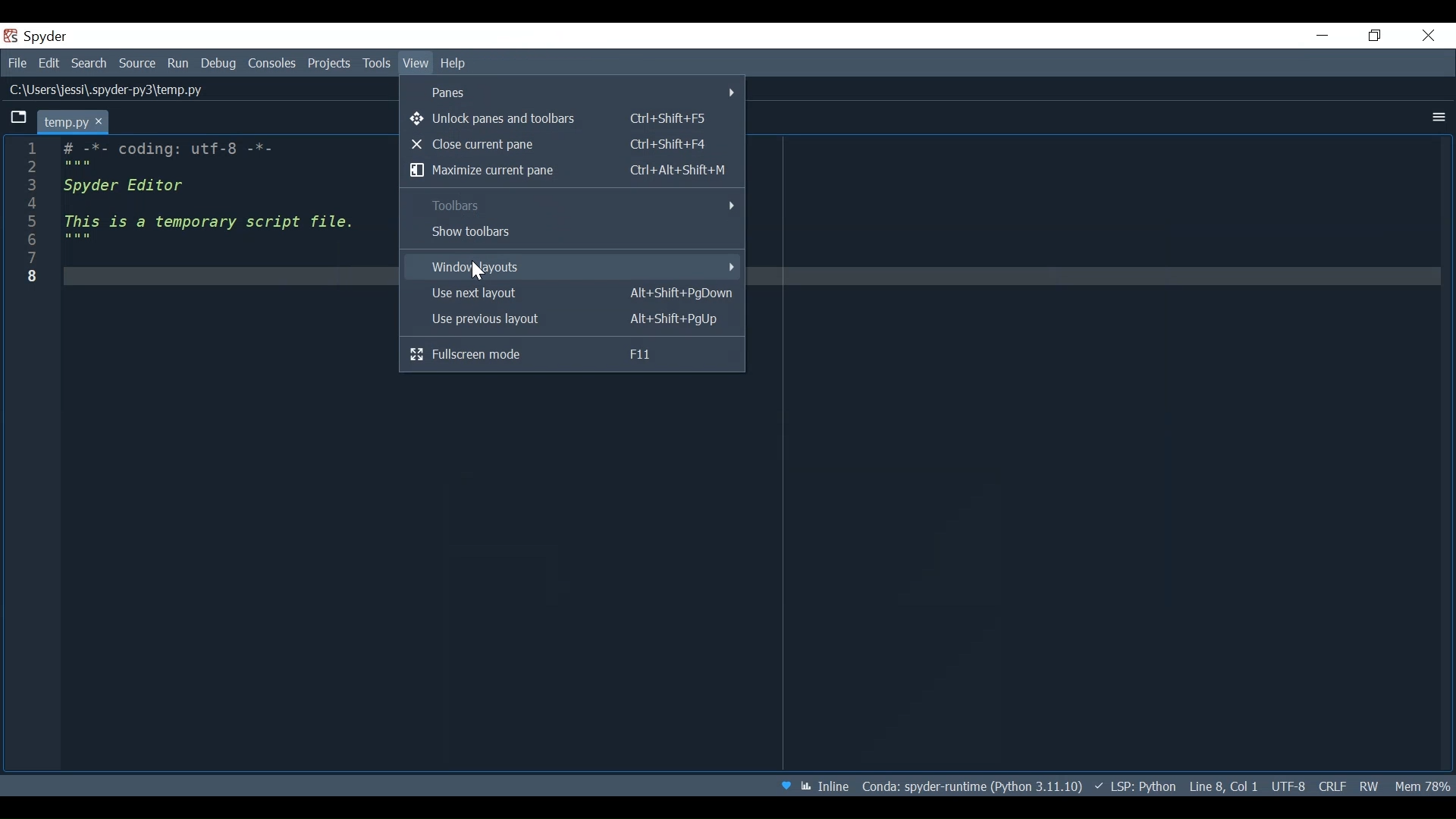 The image size is (1456, 819). Describe the element at coordinates (571, 320) in the screenshot. I see `Use previous layout` at that location.